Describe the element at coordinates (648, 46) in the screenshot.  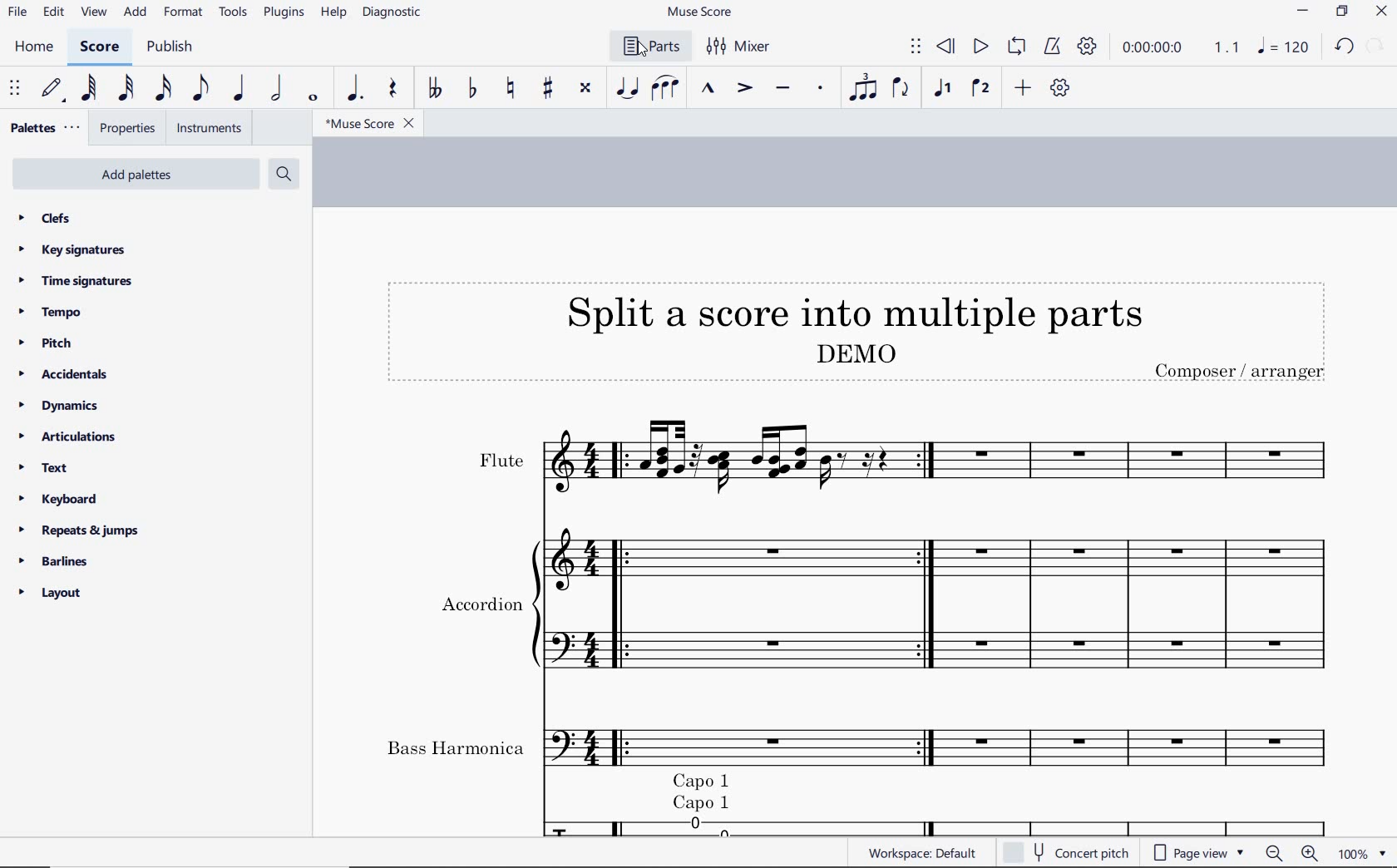
I see `parts` at that location.